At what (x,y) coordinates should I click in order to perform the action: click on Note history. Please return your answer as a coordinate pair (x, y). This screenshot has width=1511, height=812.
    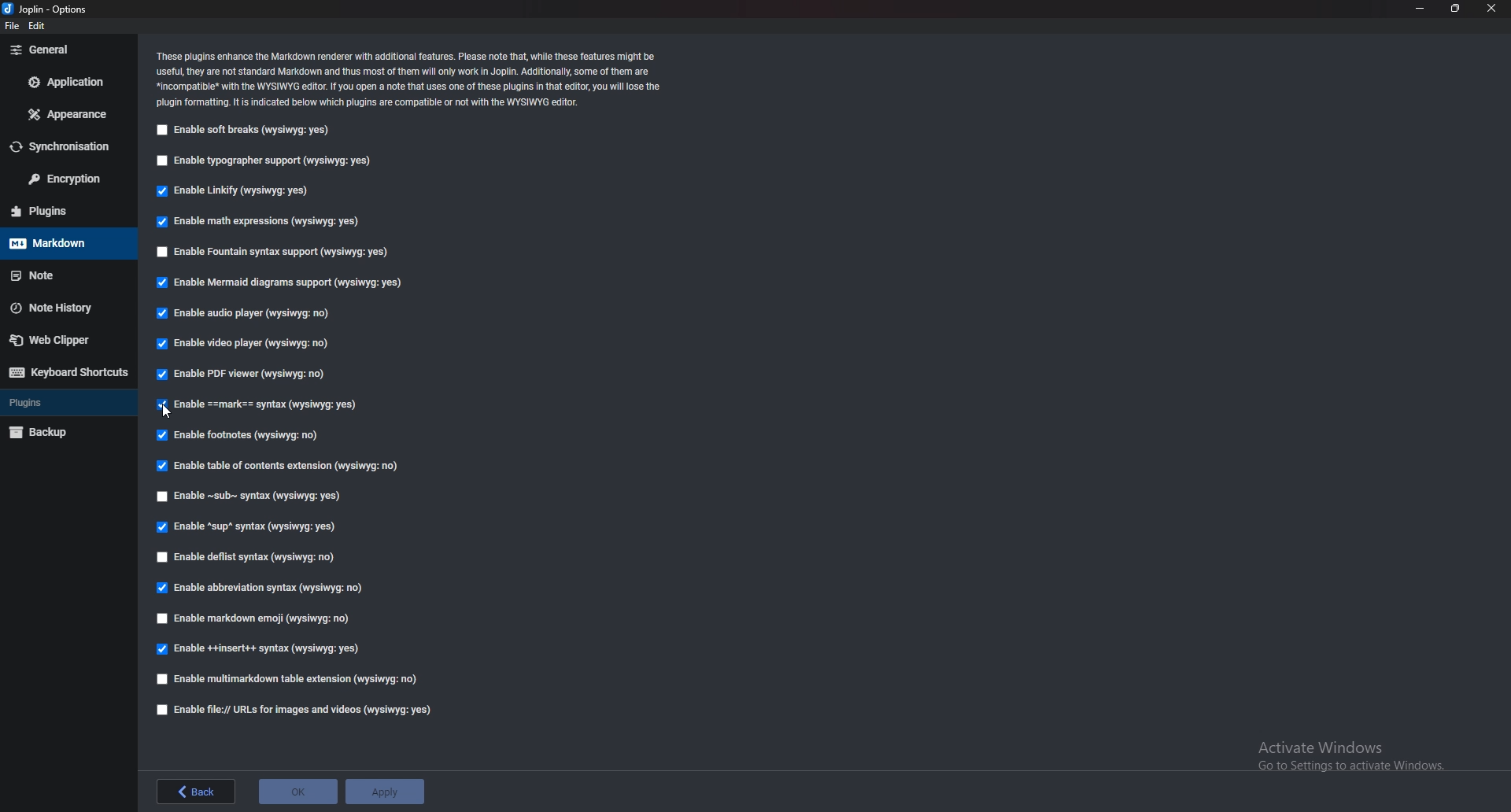
    Looking at the image, I should click on (63, 308).